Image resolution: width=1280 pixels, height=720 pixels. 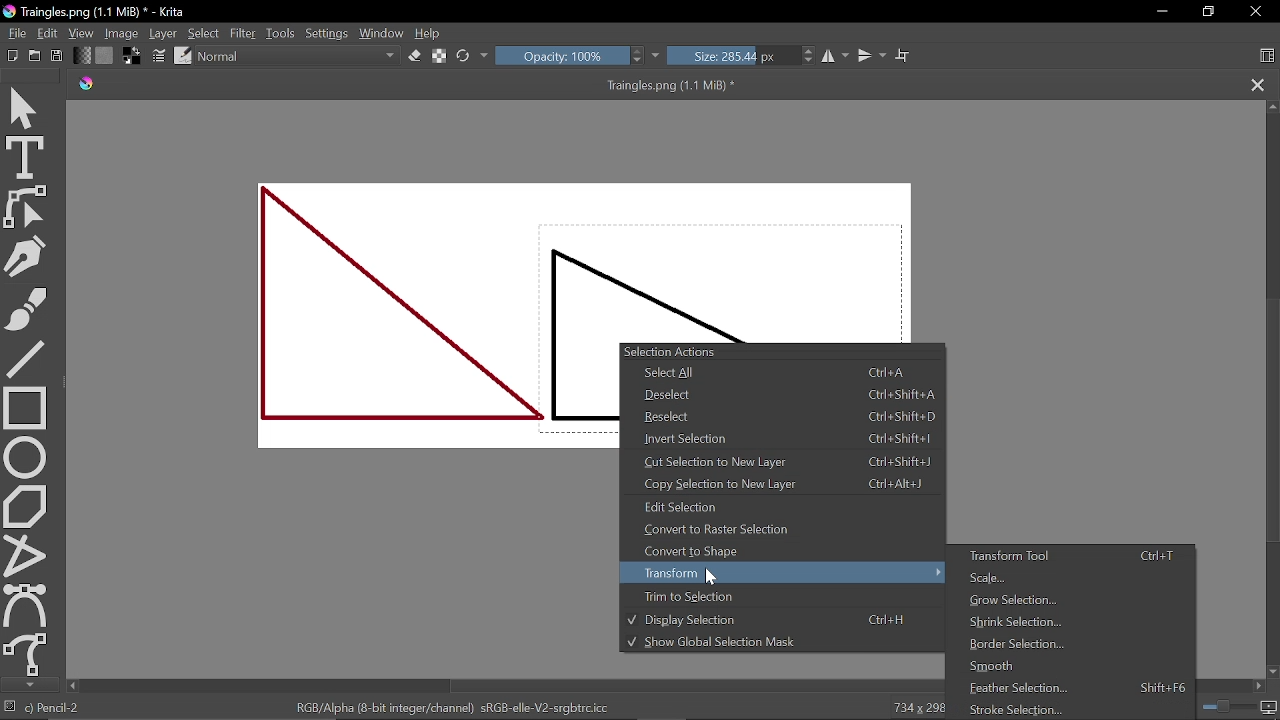 I want to click on Image, so click(x=122, y=33).